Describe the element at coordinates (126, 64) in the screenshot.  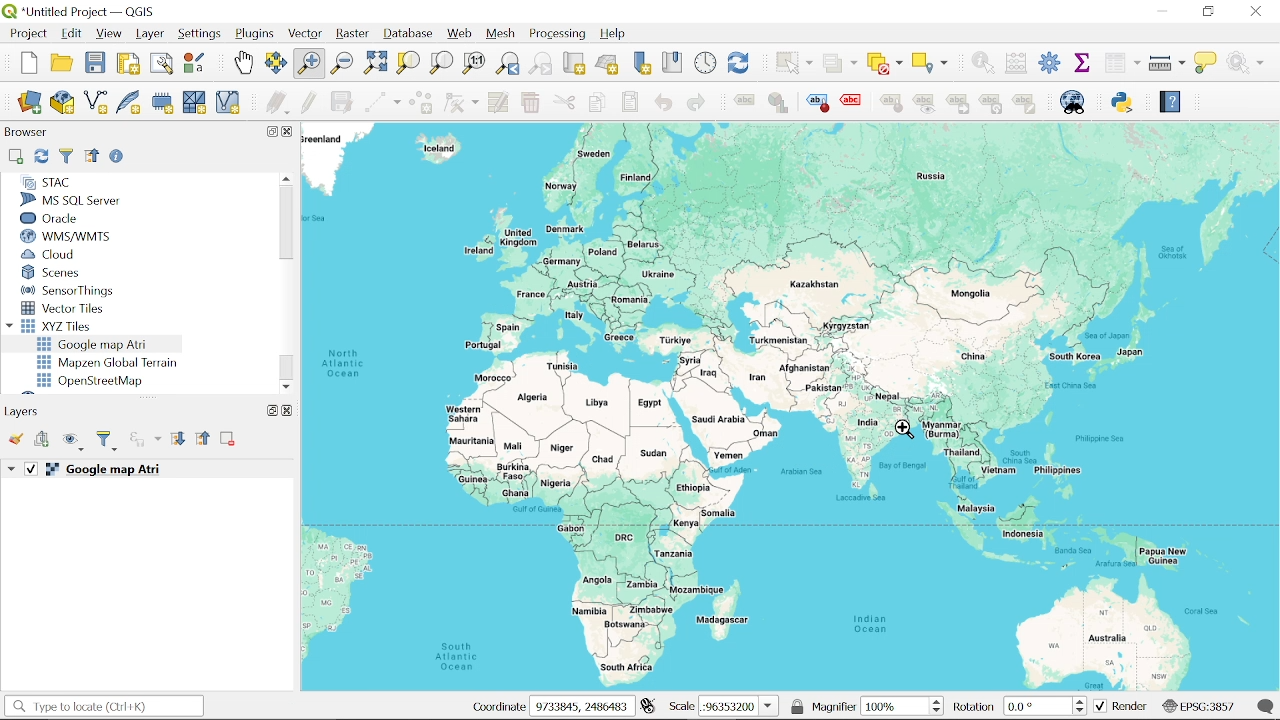
I see `New print layout` at that location.